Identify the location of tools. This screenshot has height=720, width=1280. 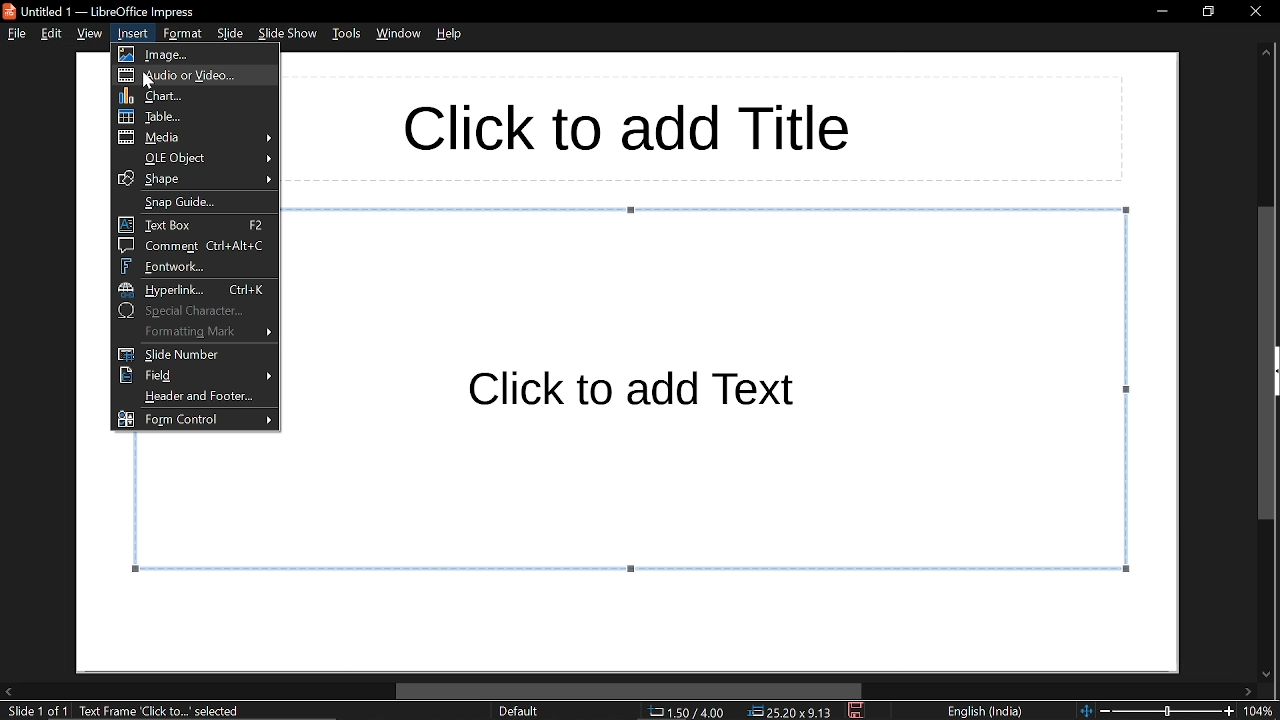
(348, 34).